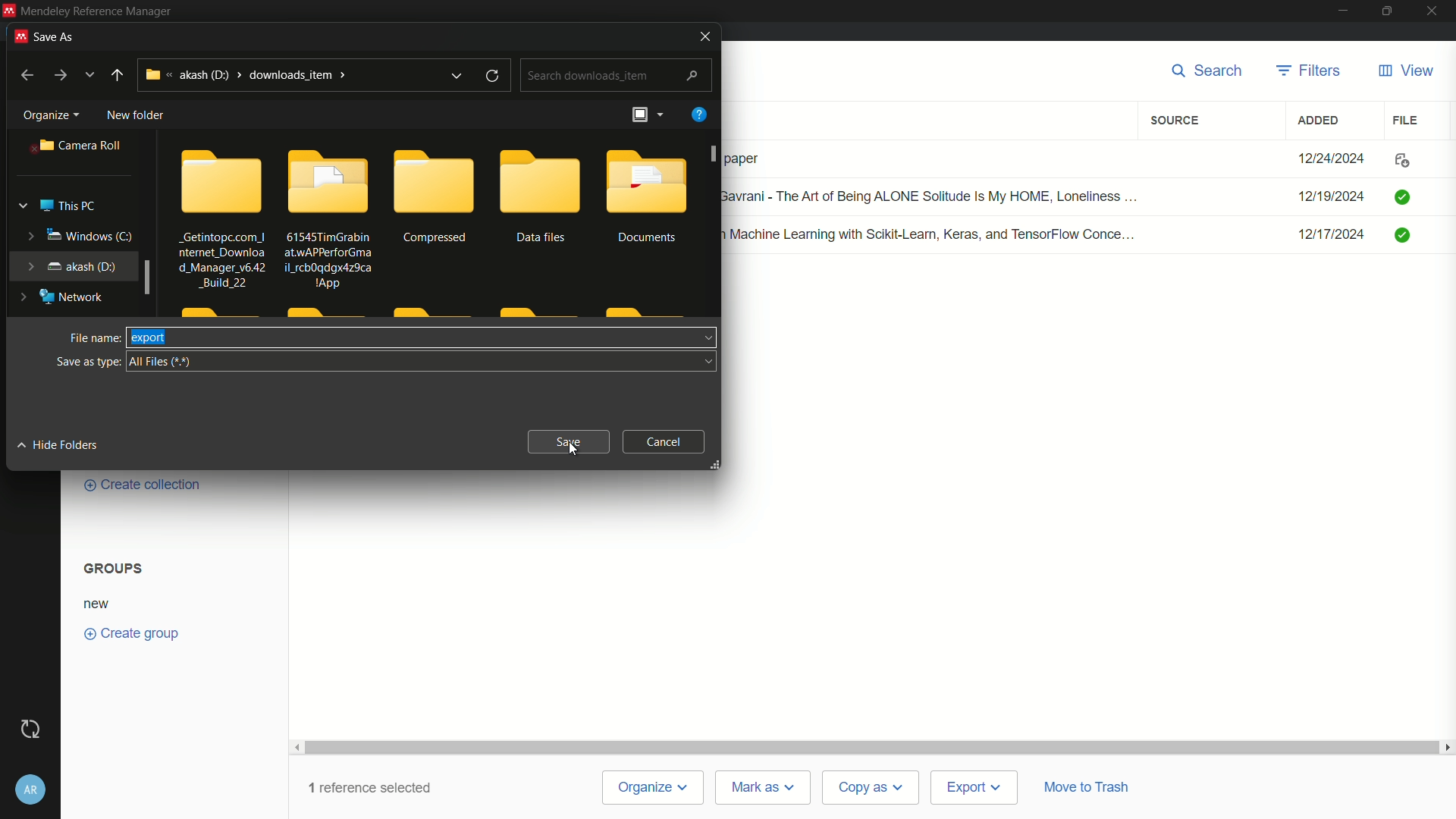 This screenshot has width=1456, height=819. Describe the element at coordinates (1447, 747) in the screenshot. I see `scroll right` at that location.